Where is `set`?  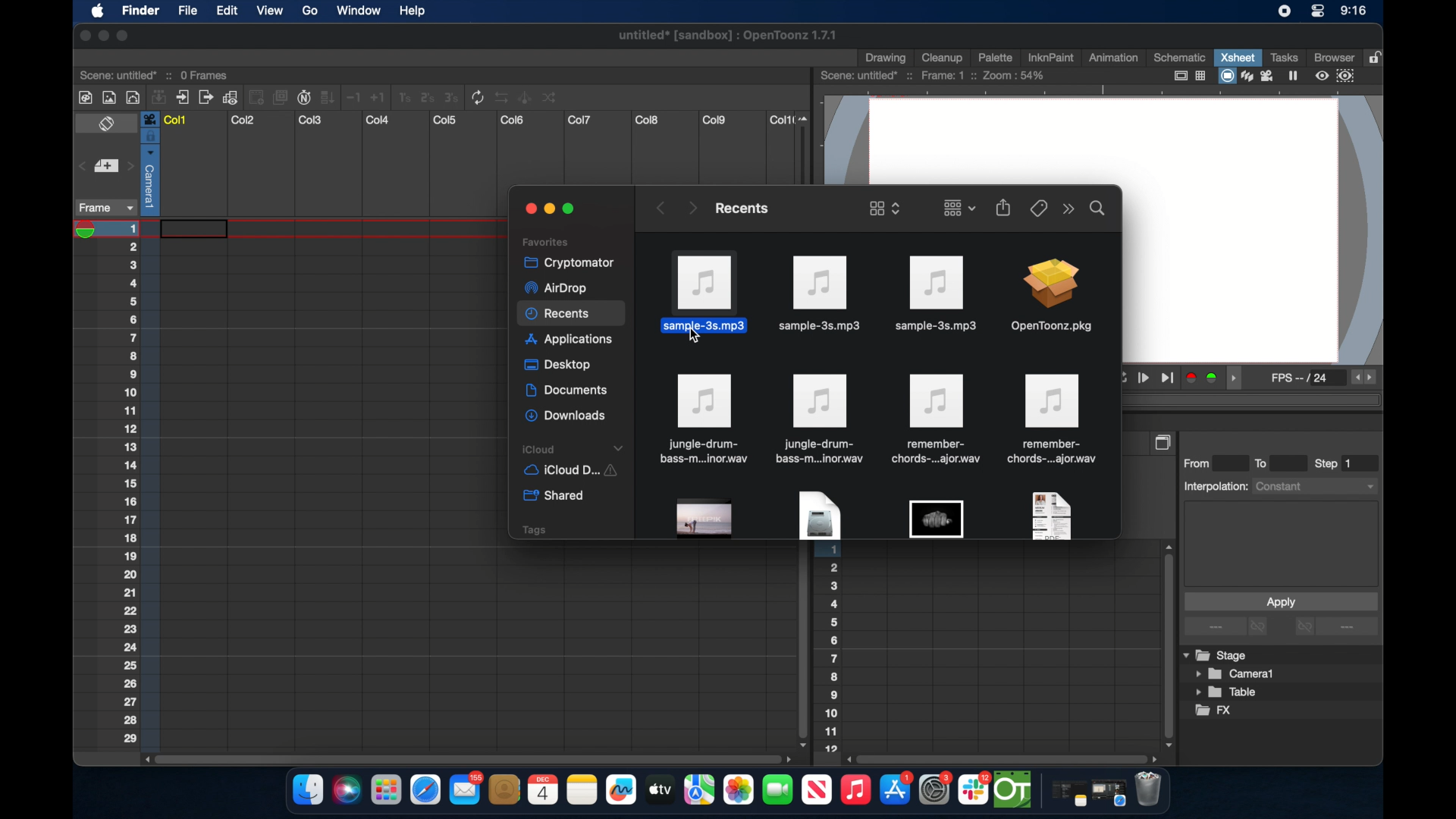
set is located at coordinates (105, 167).